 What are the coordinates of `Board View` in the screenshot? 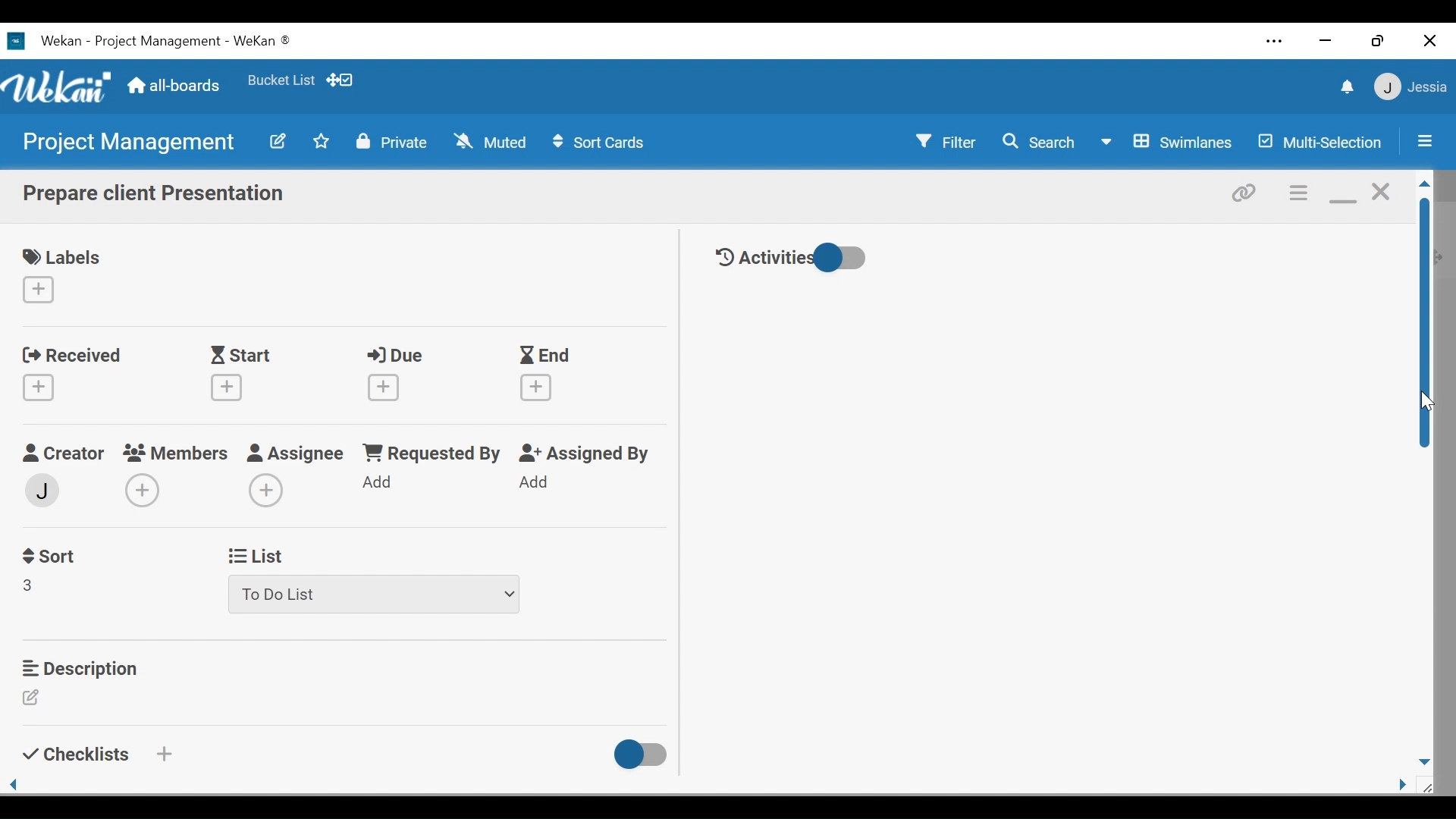 It's located at (1170, 143).